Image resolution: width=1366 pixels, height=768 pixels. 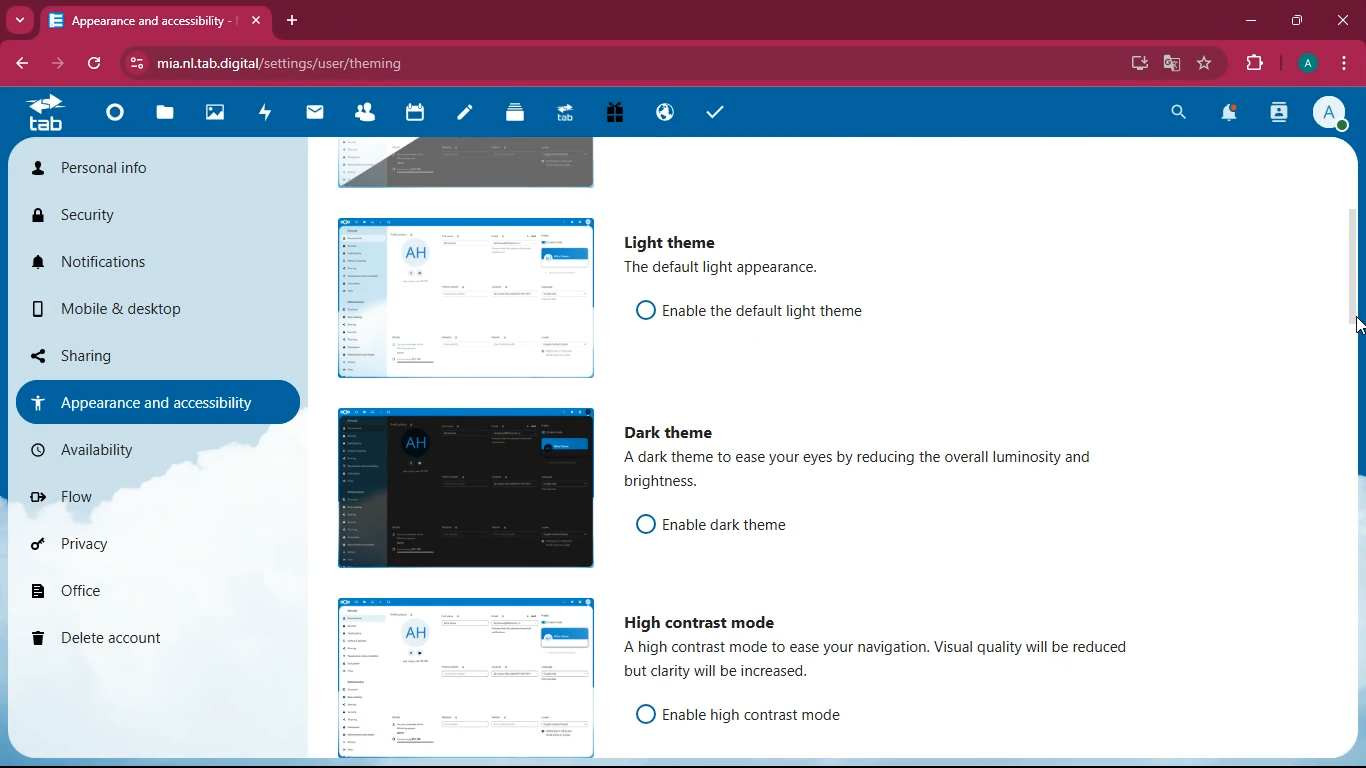 What do you see at coordinates (457, 673) in the screenshot?
I see `image` at bounding box center [457, 673].